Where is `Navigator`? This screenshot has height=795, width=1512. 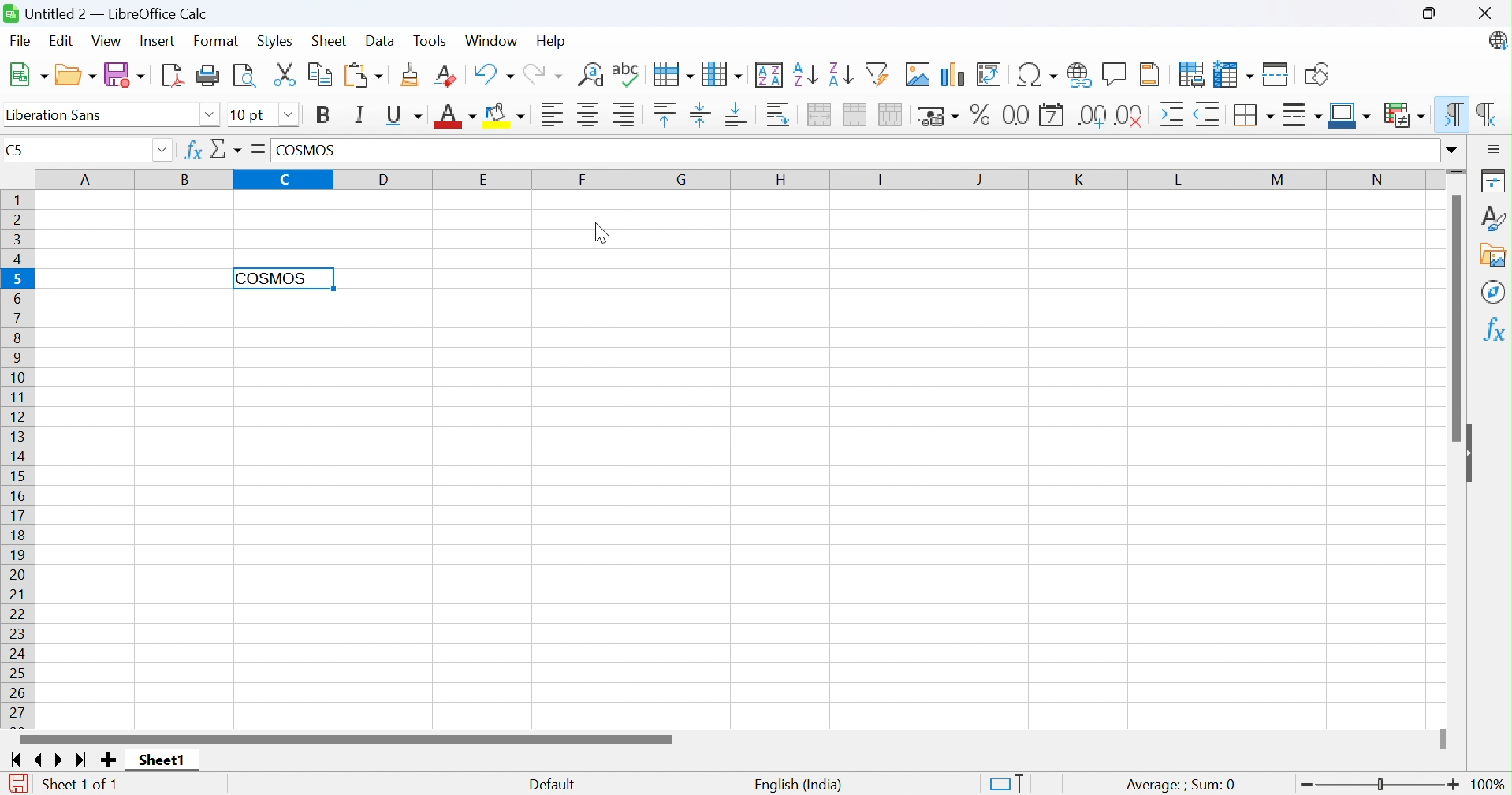 Navigator is located at coordinates (1493, 293).